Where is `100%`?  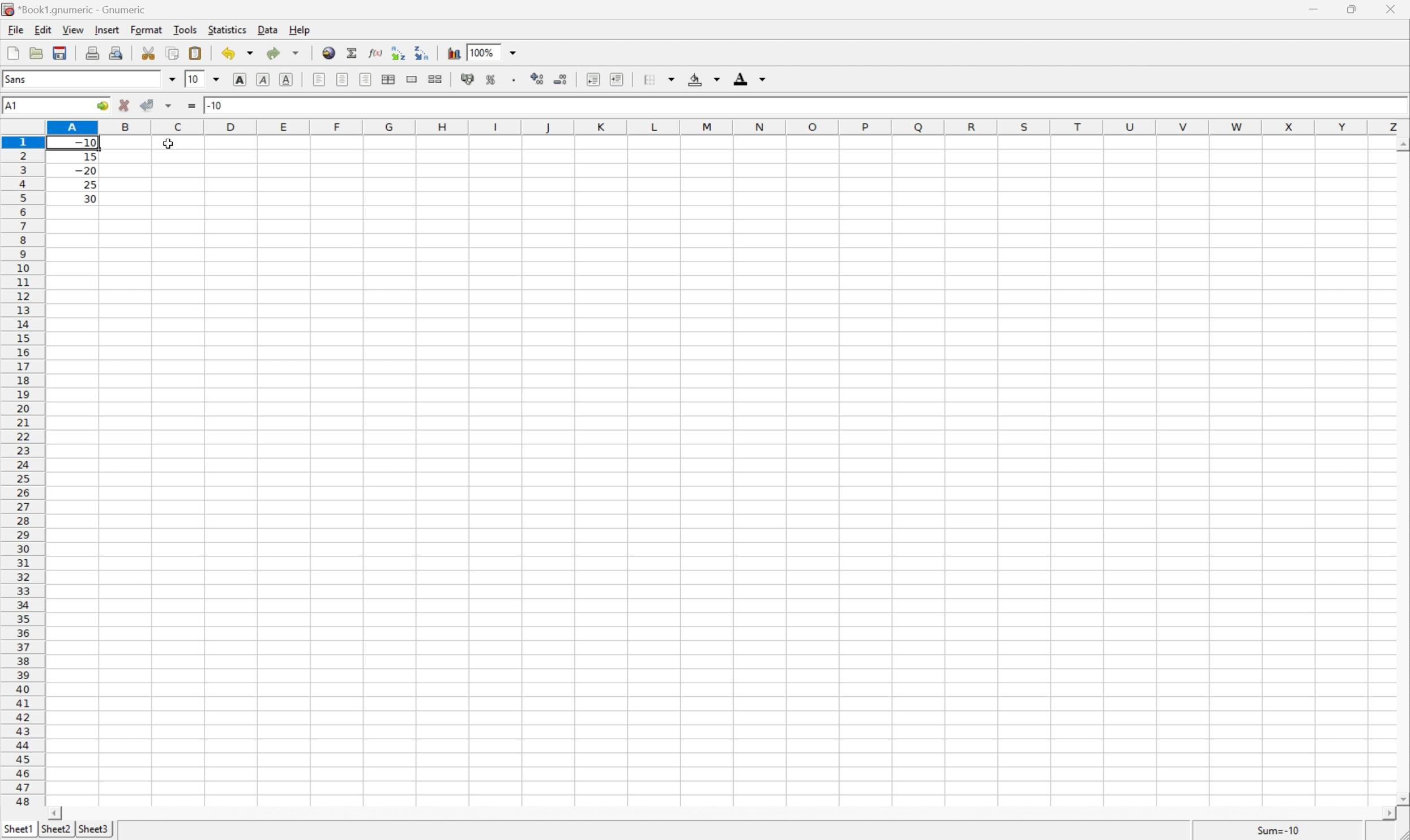
100% is located at coordinates (484, 52).